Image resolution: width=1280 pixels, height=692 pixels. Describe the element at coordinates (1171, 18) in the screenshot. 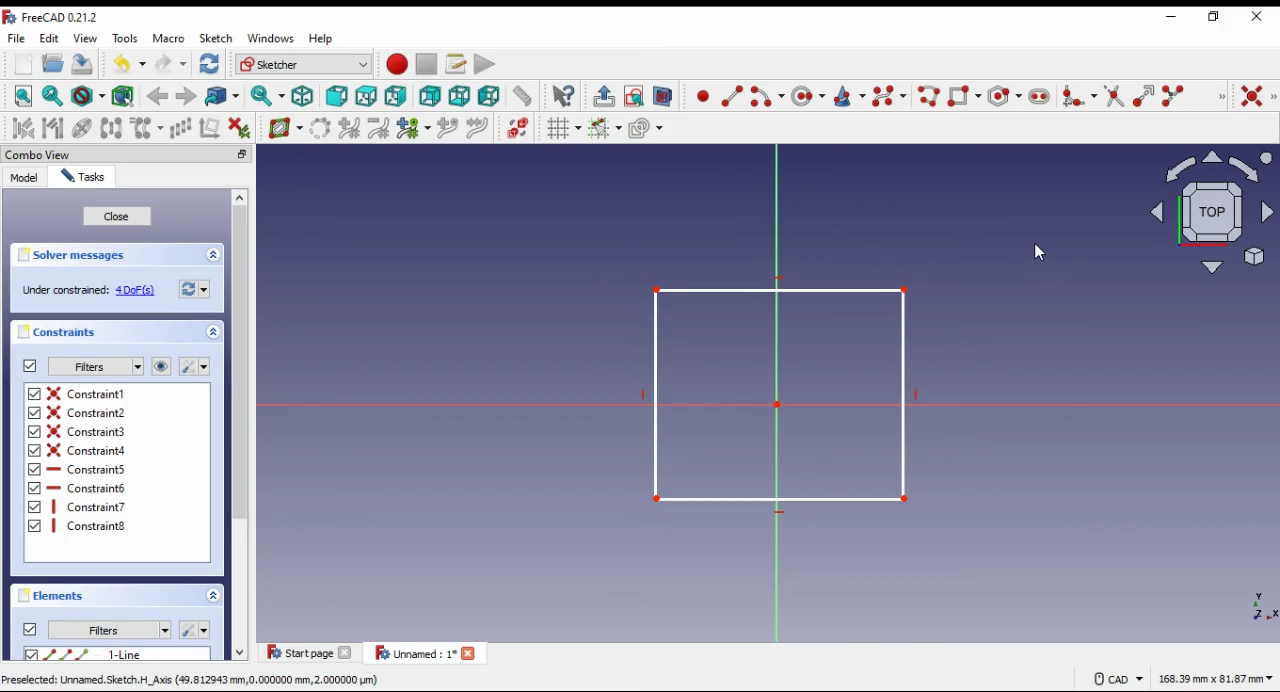

I see `minimize` at that location.